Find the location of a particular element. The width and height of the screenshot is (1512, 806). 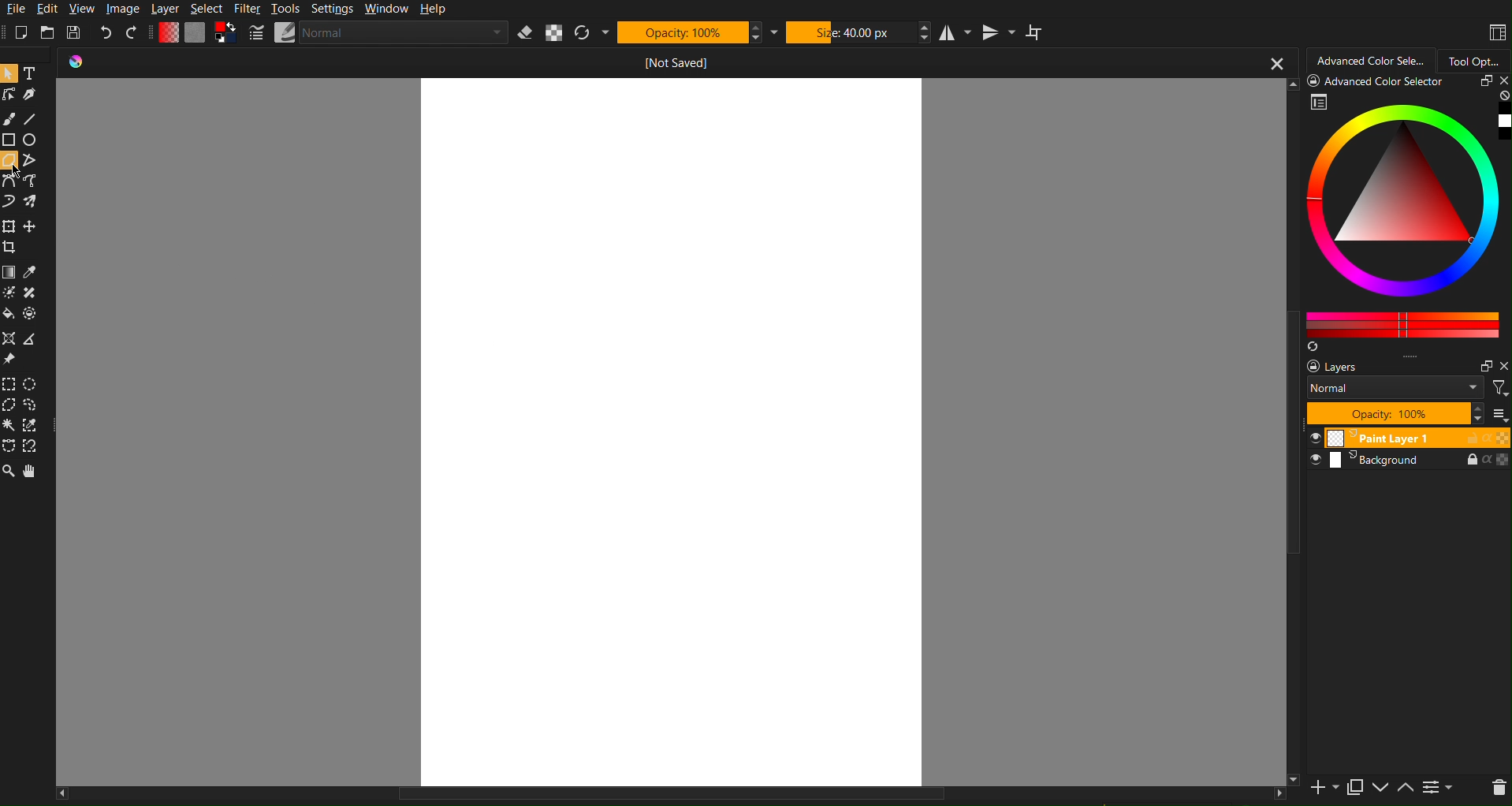

Select is located at coordinates (207, 9).